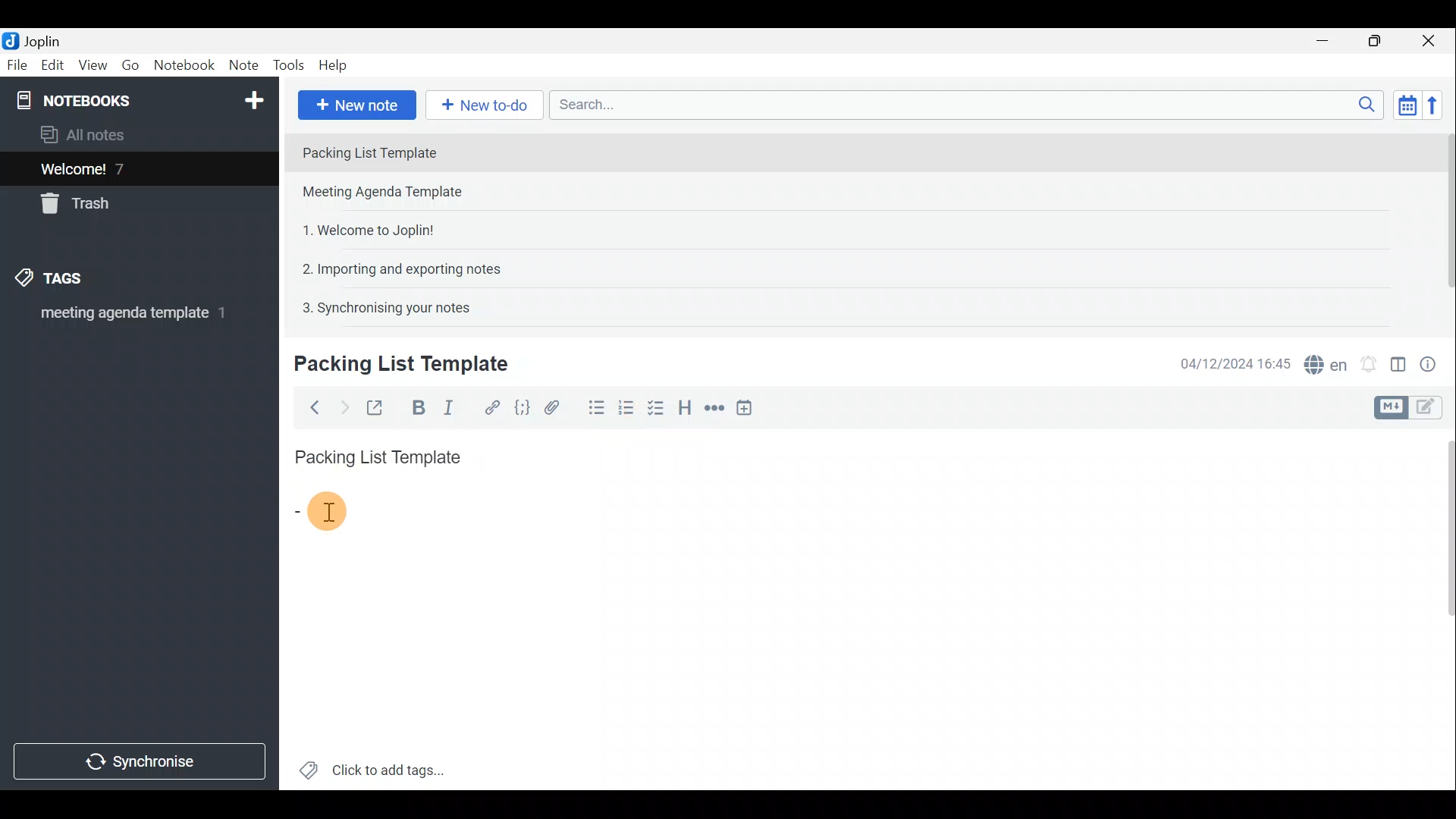 This screenshot has width=1456, height=819. Describe the element at coordinates (335, 67) in the screenshot. I see `Help` at that location.